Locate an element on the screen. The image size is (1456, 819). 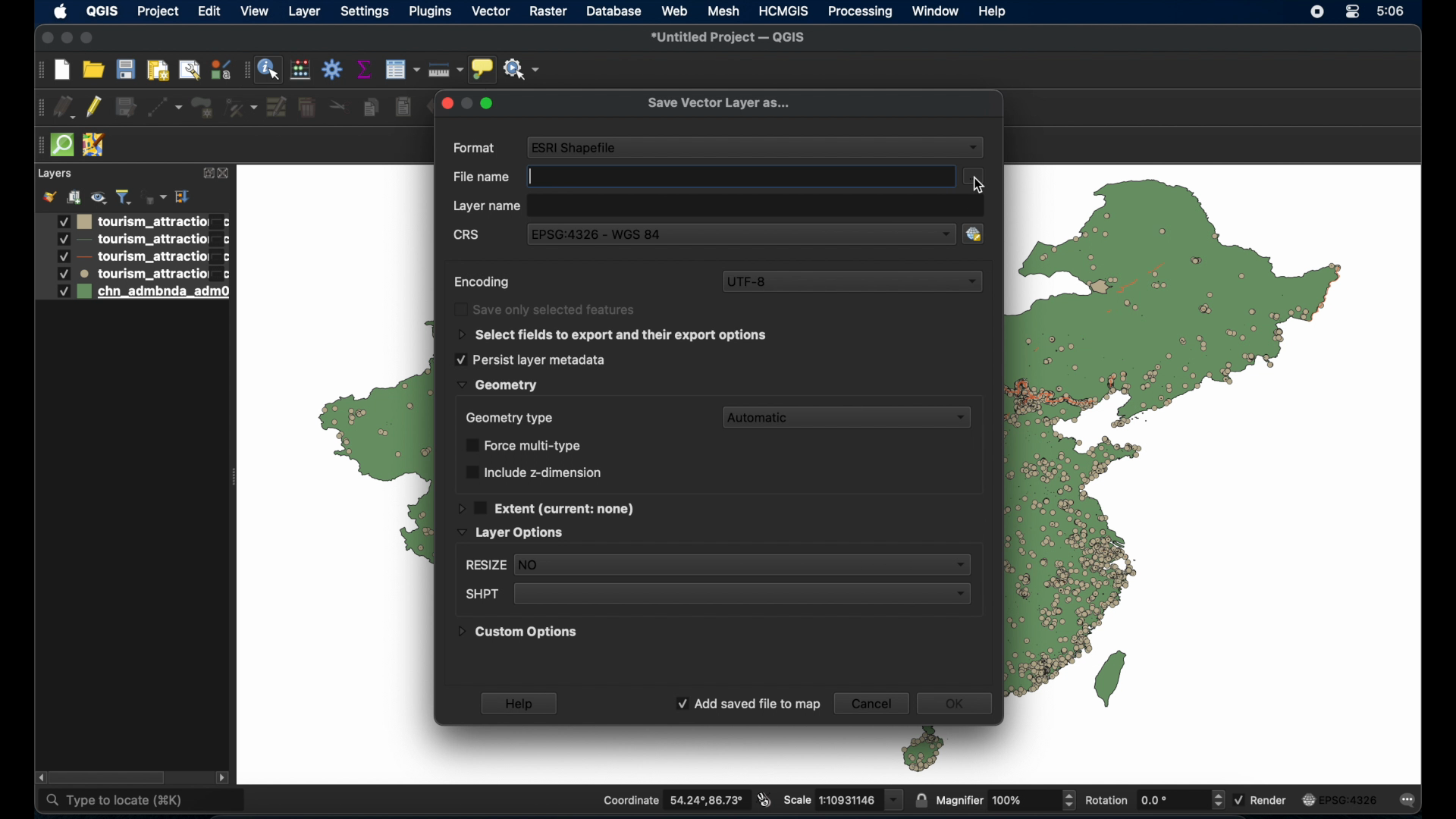
paste features is located at coordinates (404, 108).